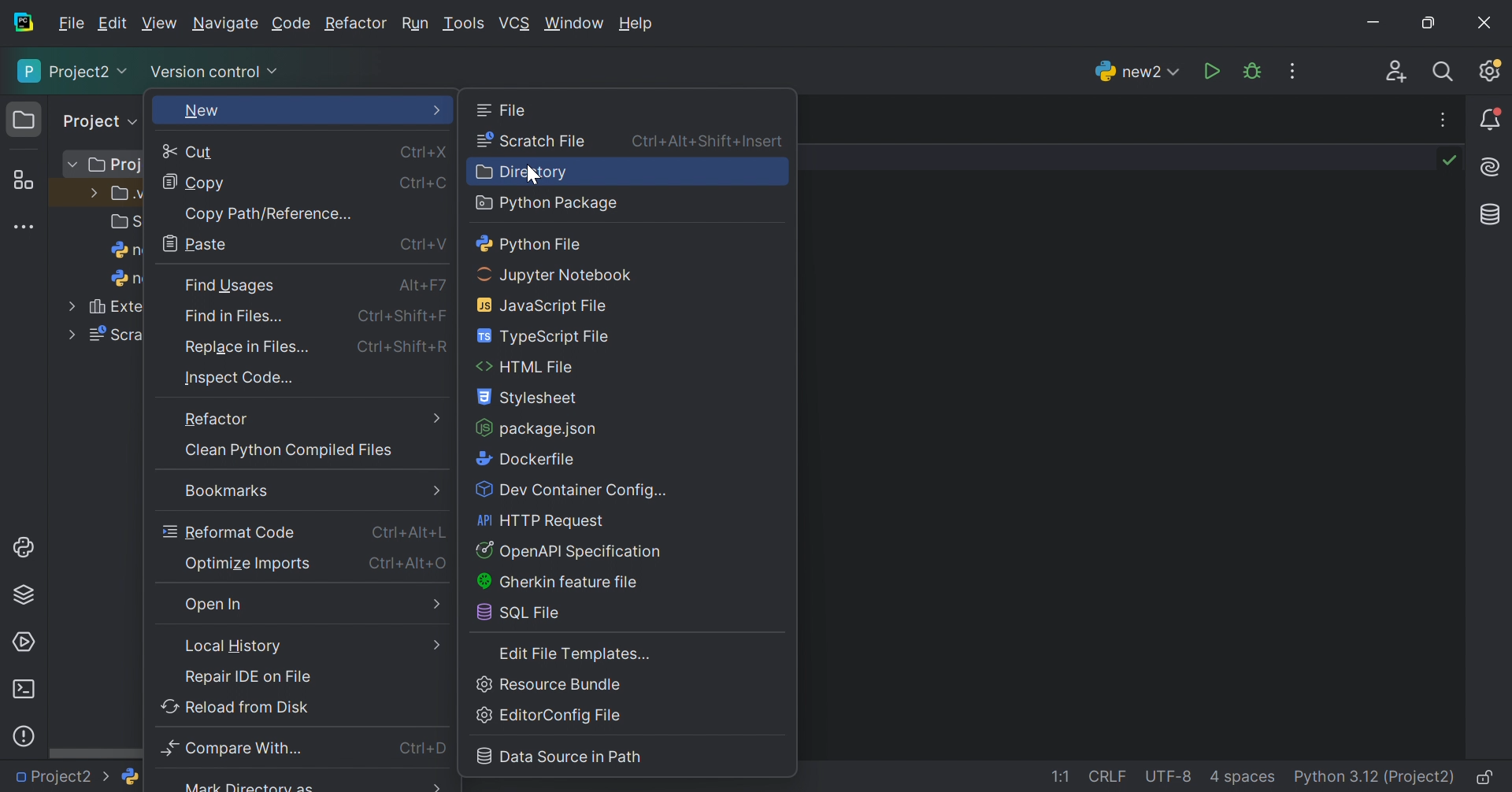  What do you see at coordinates (533, 142) in the screenshot?
I see `Scratch file` at bounding box center [533, 142].